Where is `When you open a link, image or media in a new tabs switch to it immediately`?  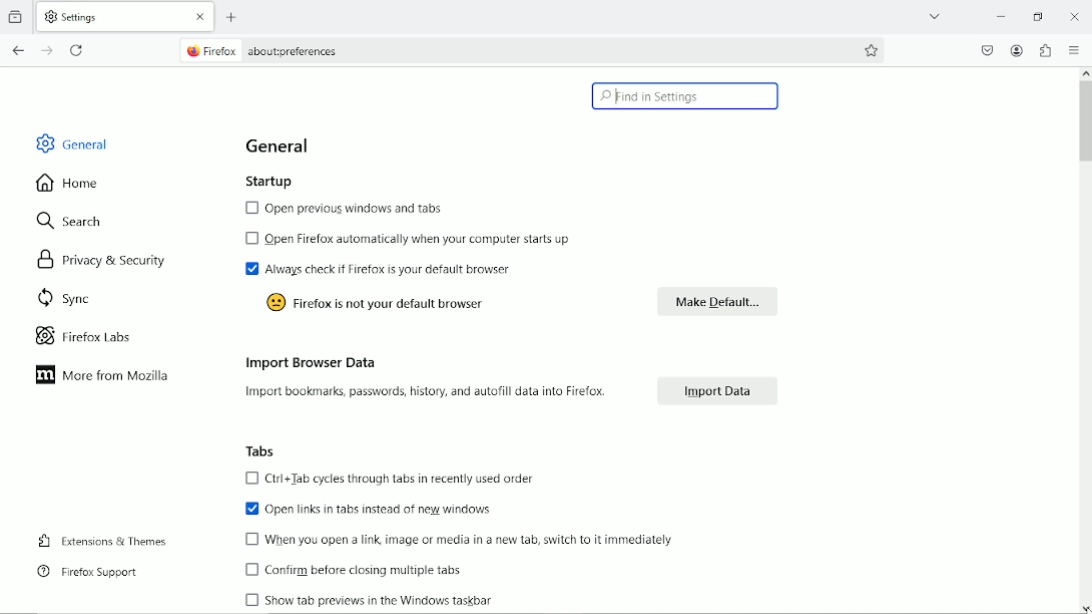
When you open a link, image or media in a new tabs switch to it immediately is located at coordinates (460, 540).